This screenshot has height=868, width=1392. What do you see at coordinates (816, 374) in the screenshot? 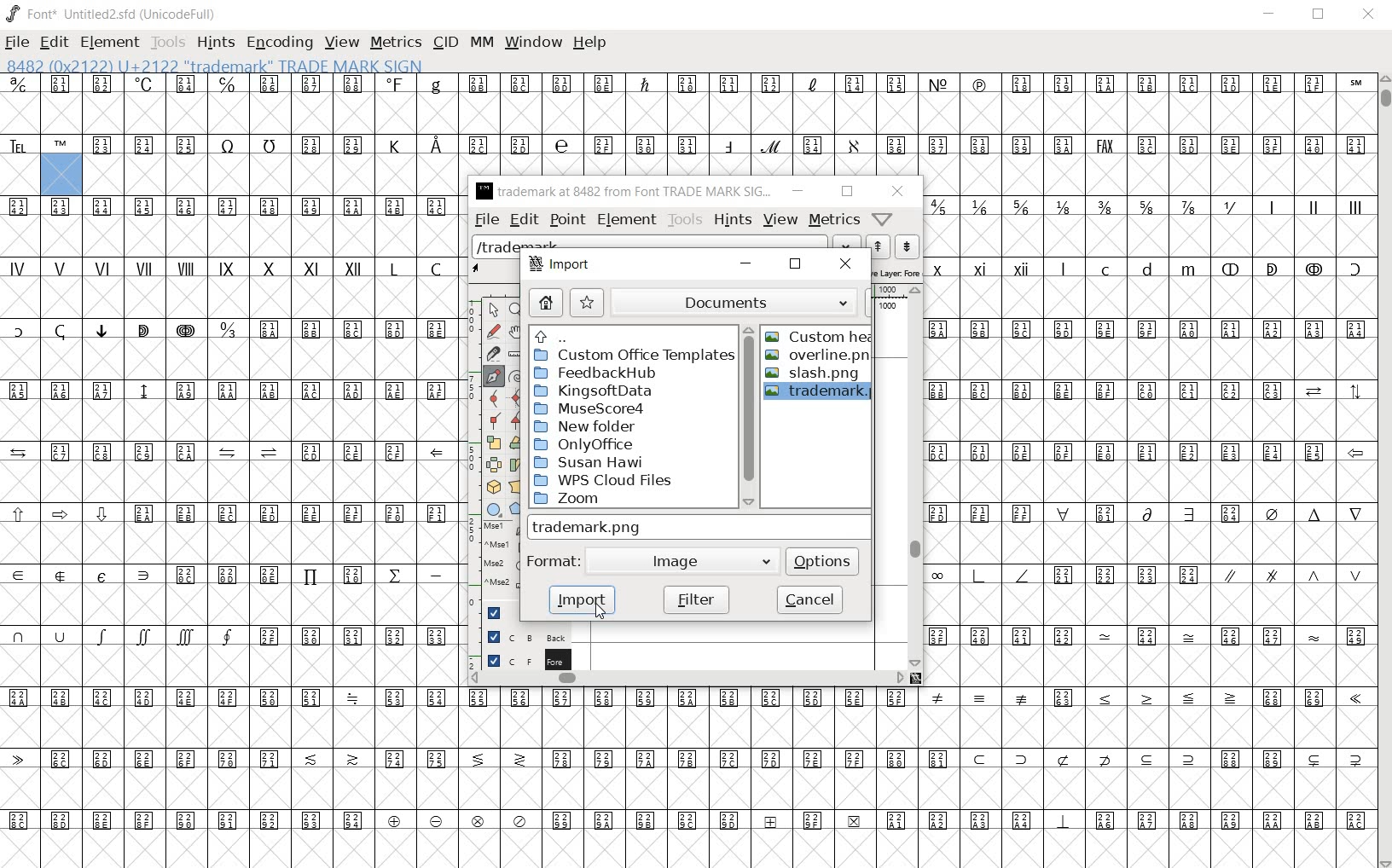
I see `slash.png` at bounding box center [816, 374].